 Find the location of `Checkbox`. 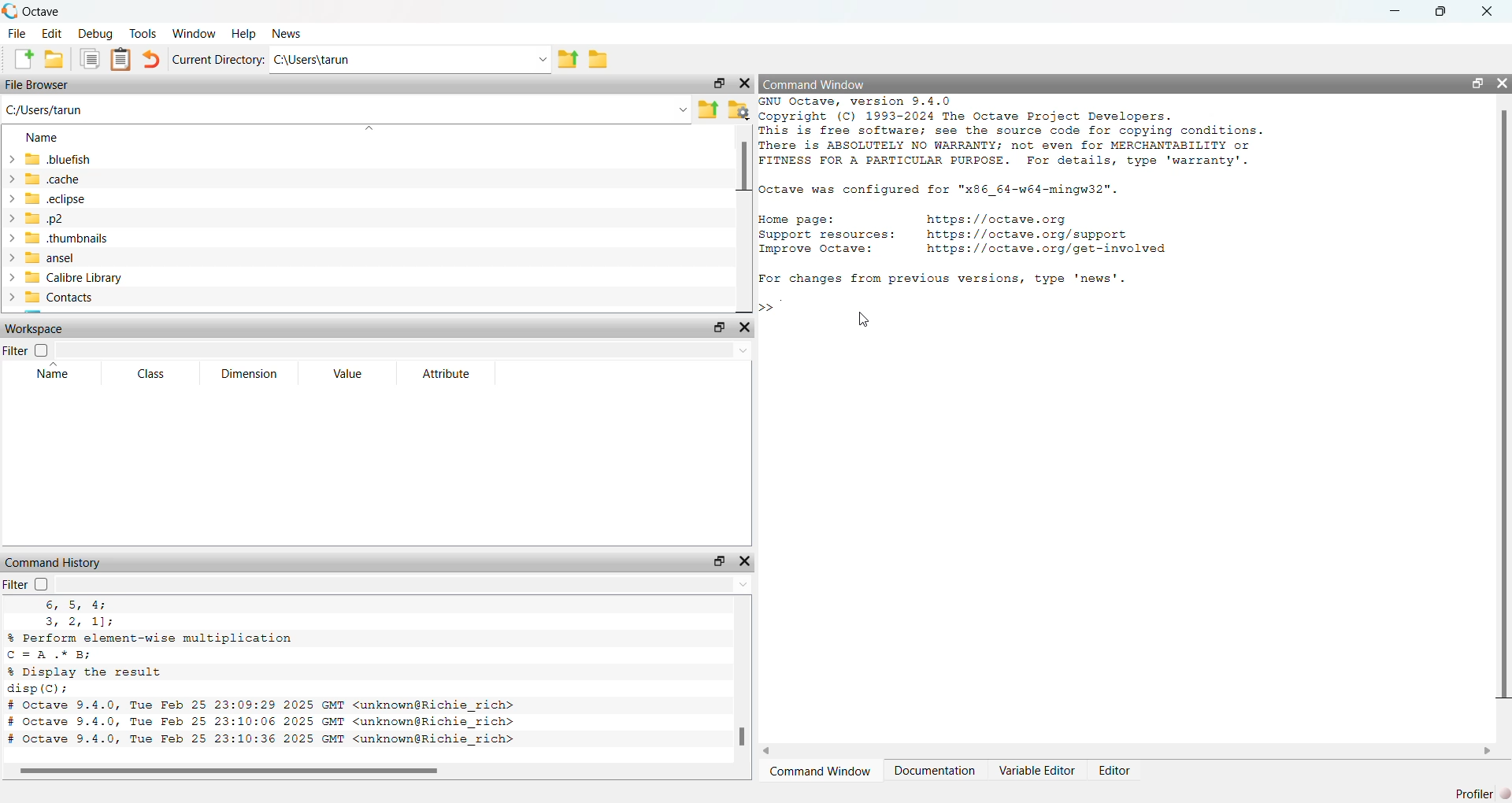

Checkbox is located at coordinates (41, 350).